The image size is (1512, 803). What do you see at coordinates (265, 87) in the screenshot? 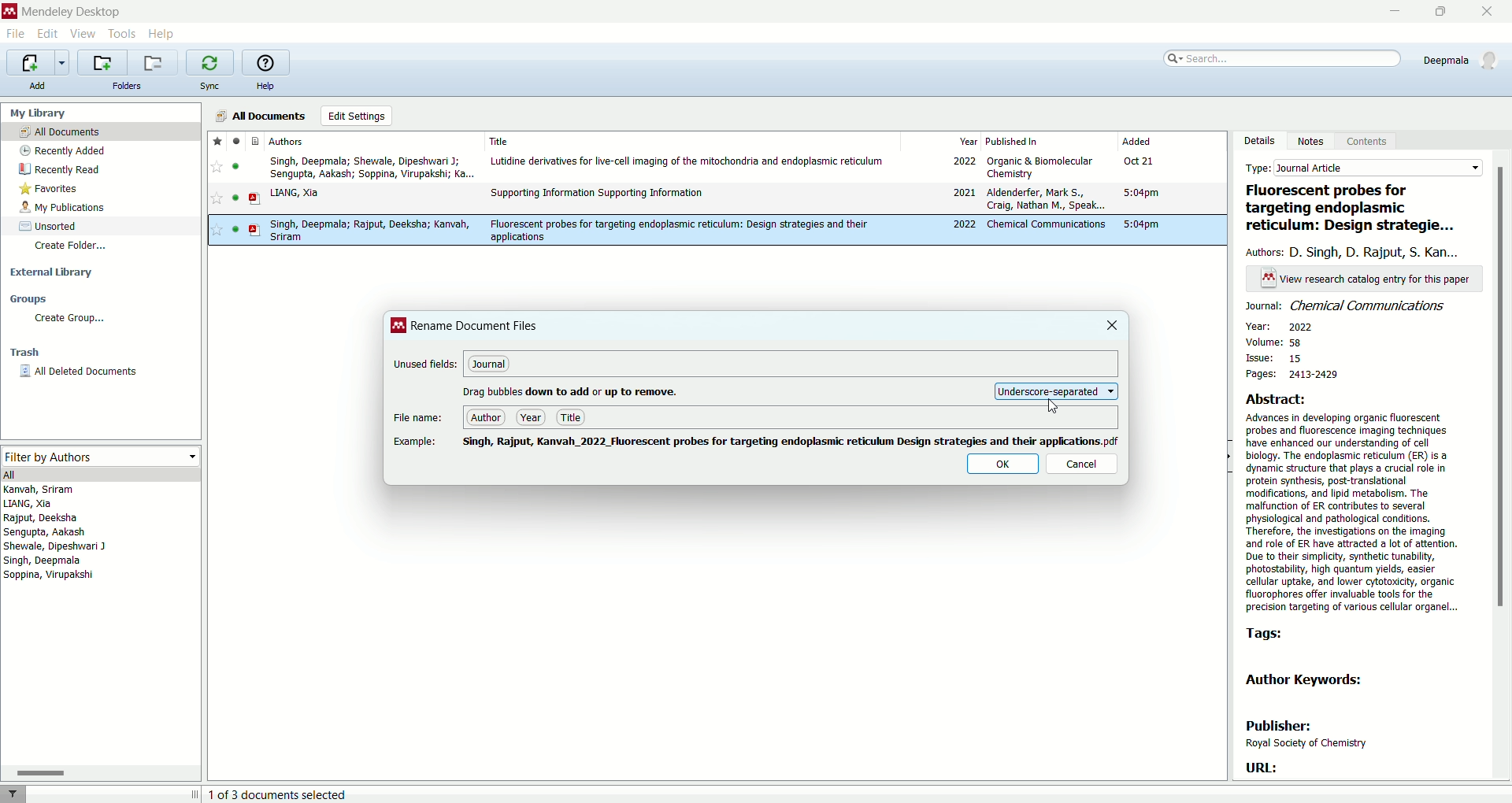
I see `help` at bounding box center [265, 87].